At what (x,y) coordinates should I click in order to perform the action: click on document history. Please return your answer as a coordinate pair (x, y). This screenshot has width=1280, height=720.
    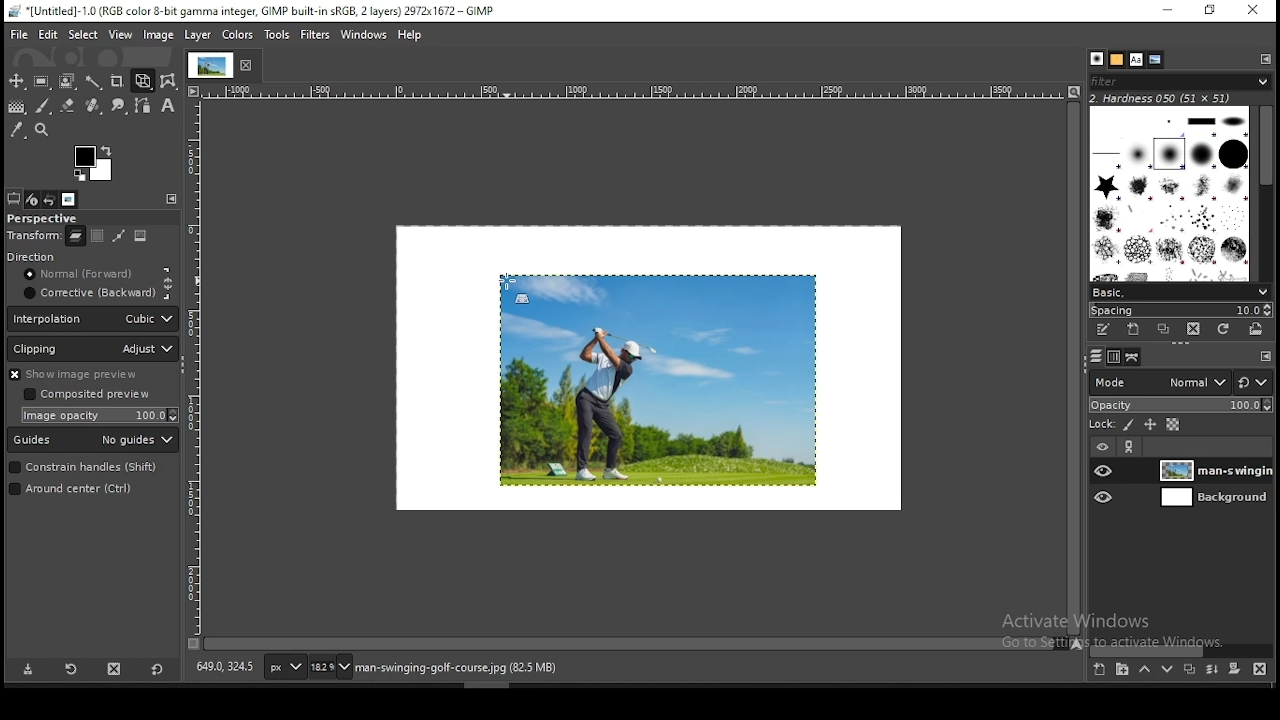
    Looking at the image, I should click on (1155, 60).